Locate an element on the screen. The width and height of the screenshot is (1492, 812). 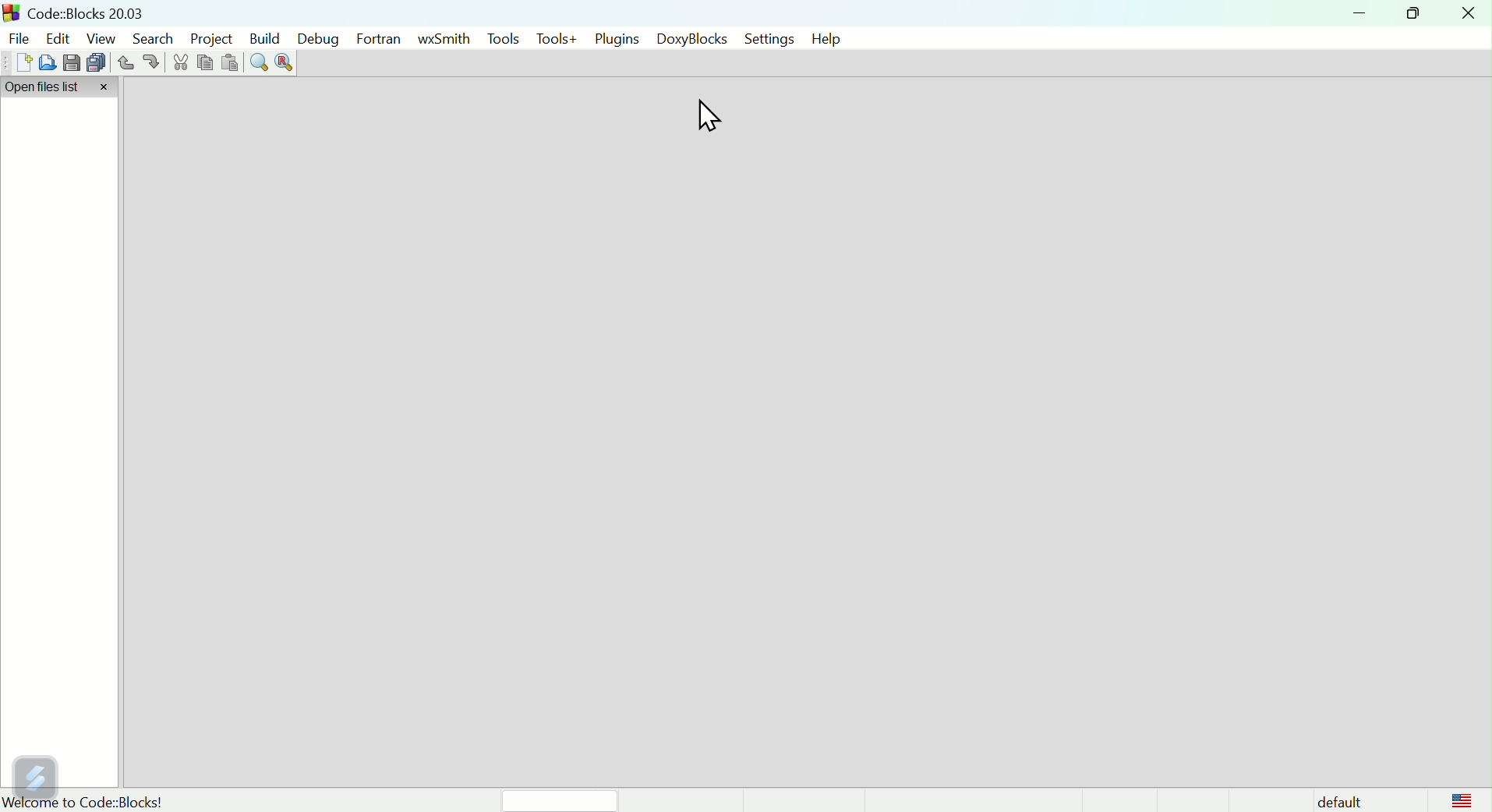
help is located at coordinates (830, 39).